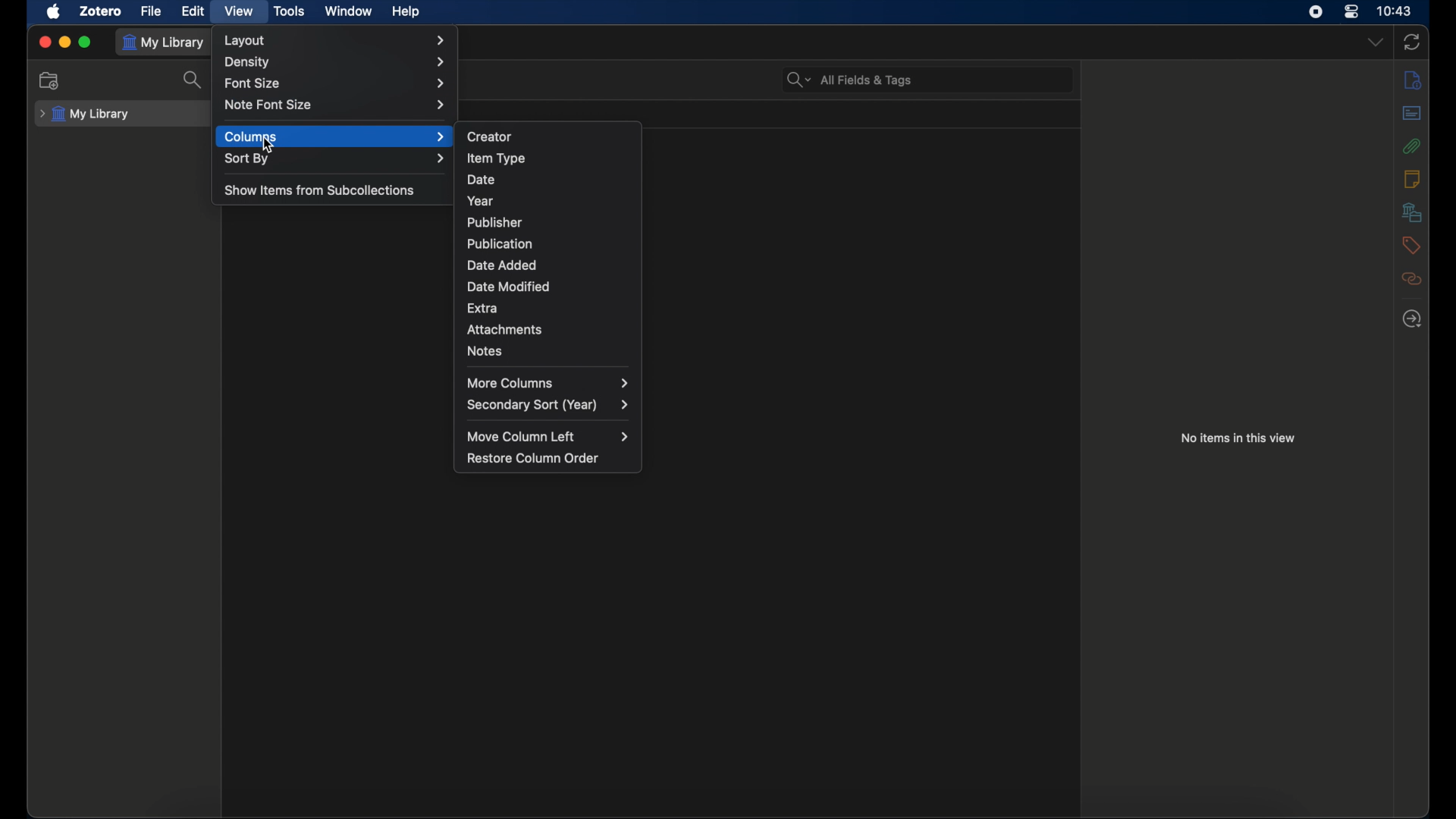  I want to click on notes, so click(1412, 179).